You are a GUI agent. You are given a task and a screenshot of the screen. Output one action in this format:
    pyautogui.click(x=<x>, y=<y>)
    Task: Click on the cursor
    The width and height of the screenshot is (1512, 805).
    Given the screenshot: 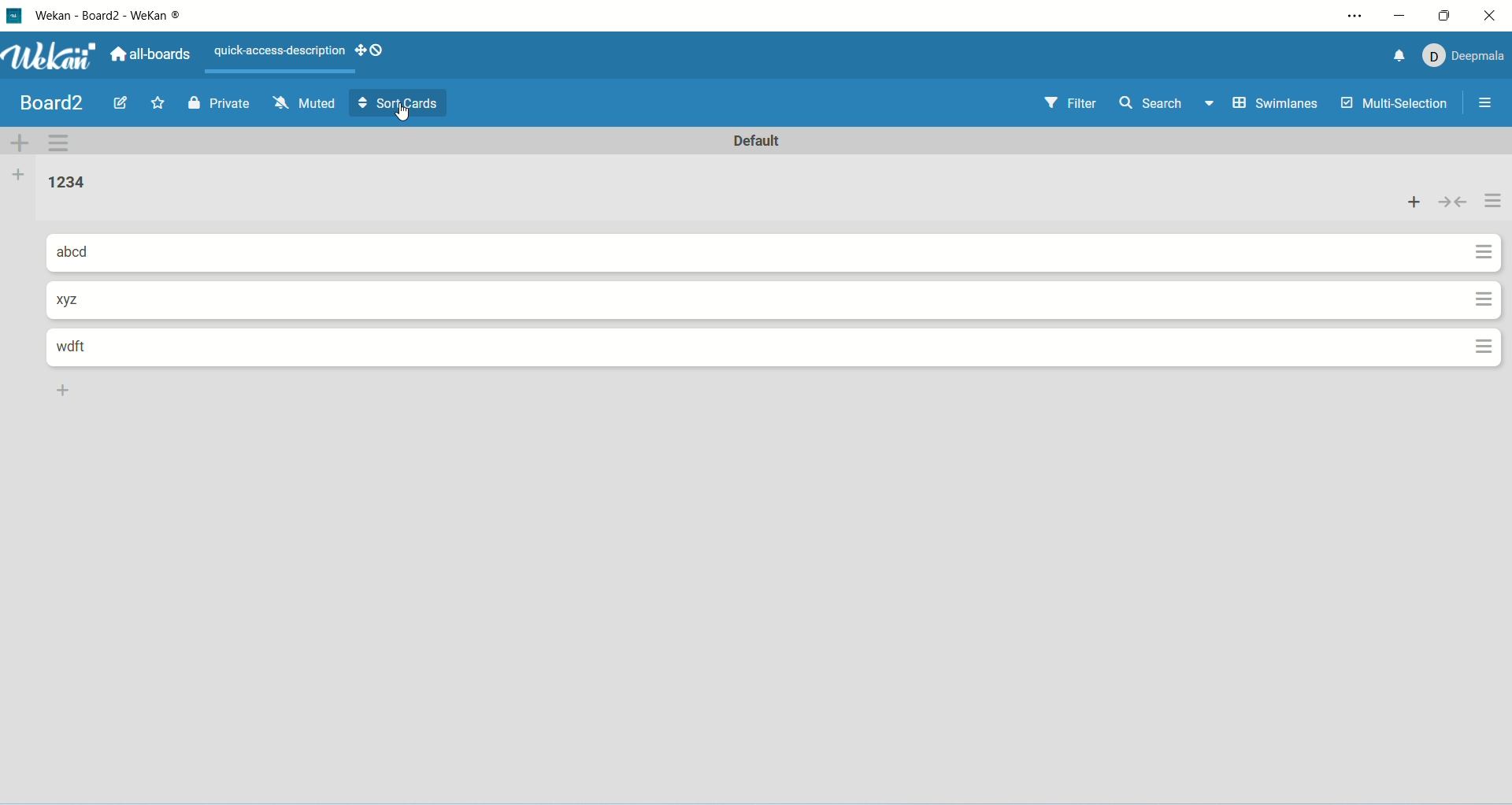 What is the action you would take?
    pyautogui.click(x=407, y=117)
    